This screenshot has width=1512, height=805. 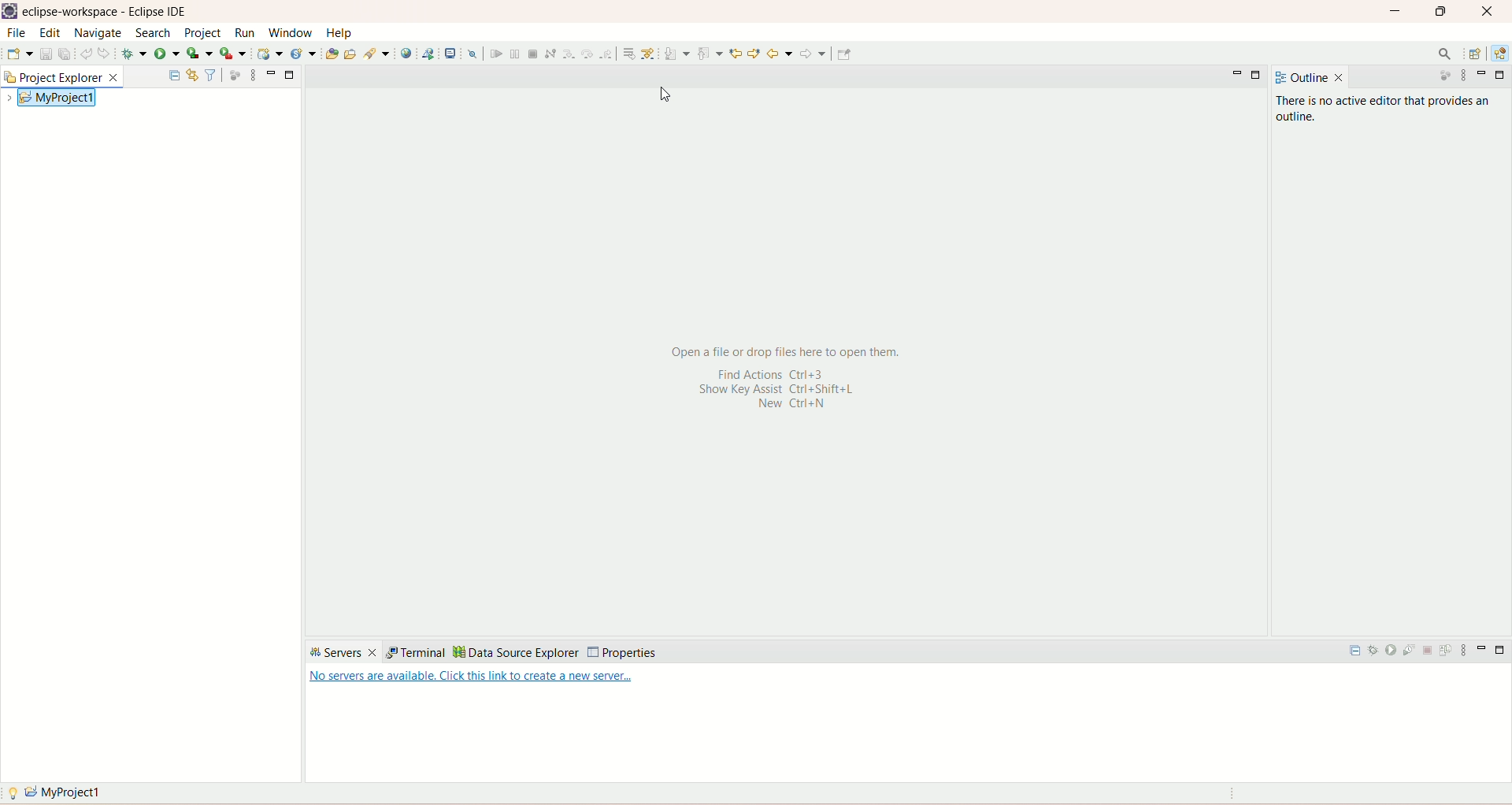 What do you see at coordinates (169, 54) in the screenshot?
I see `run` at bounding box center [169, 54].